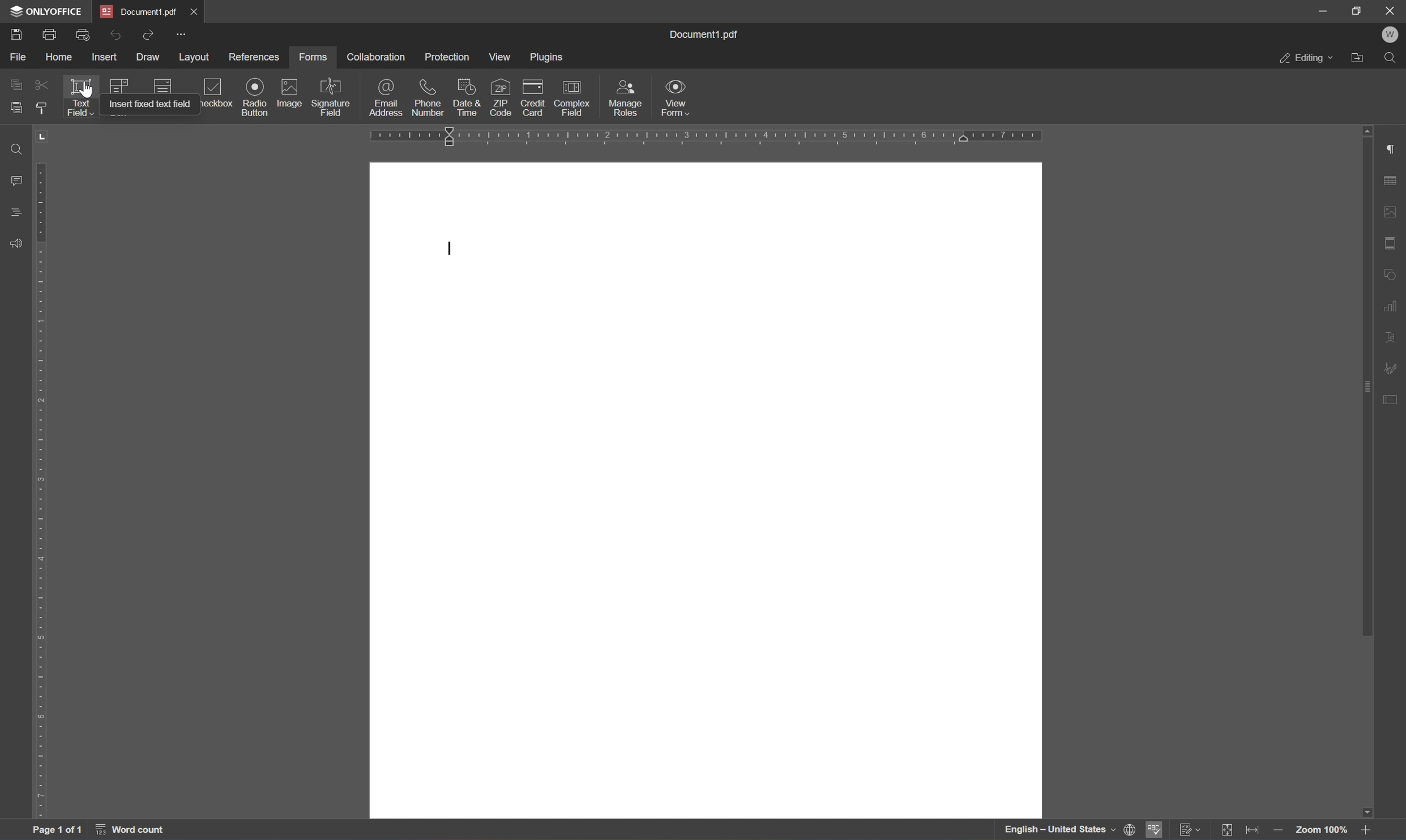 This screenshot has height=840, width=1406. I want to click on image settings, so click(1393, 211).